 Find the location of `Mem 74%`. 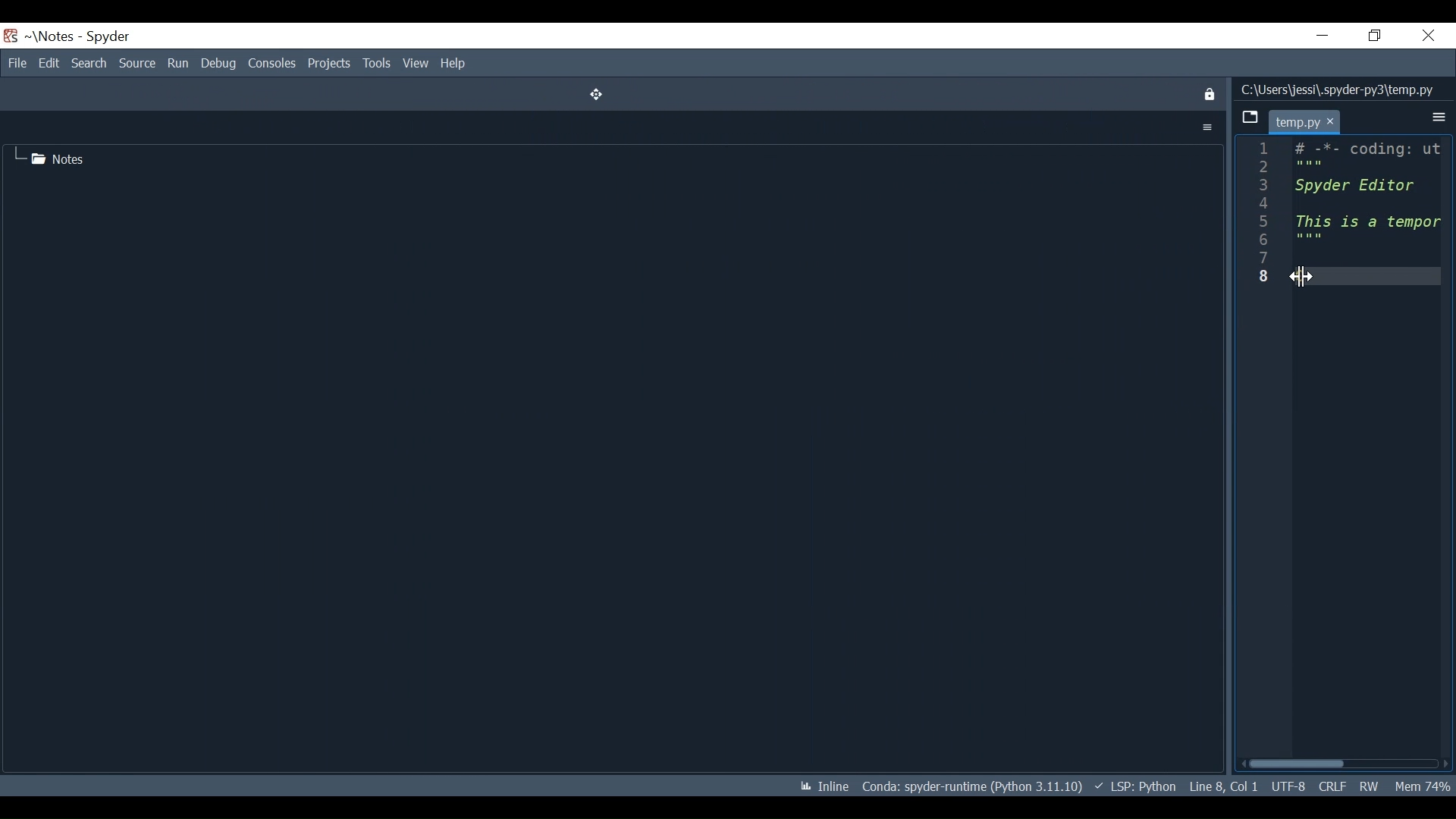

Mem 74% is located at coordinates (1422, 784).